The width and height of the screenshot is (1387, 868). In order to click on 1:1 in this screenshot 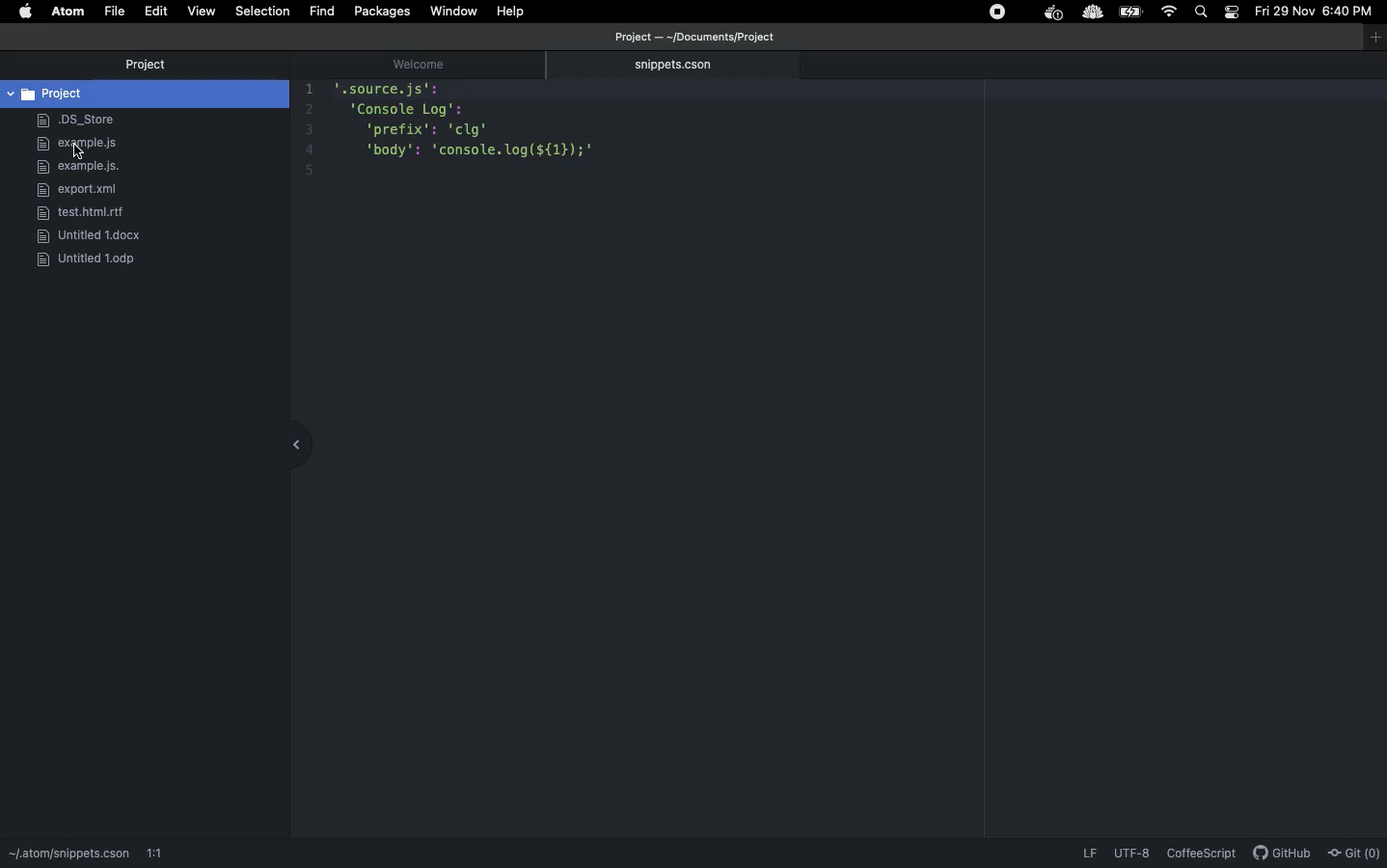, I will do `click(169, 852)`.